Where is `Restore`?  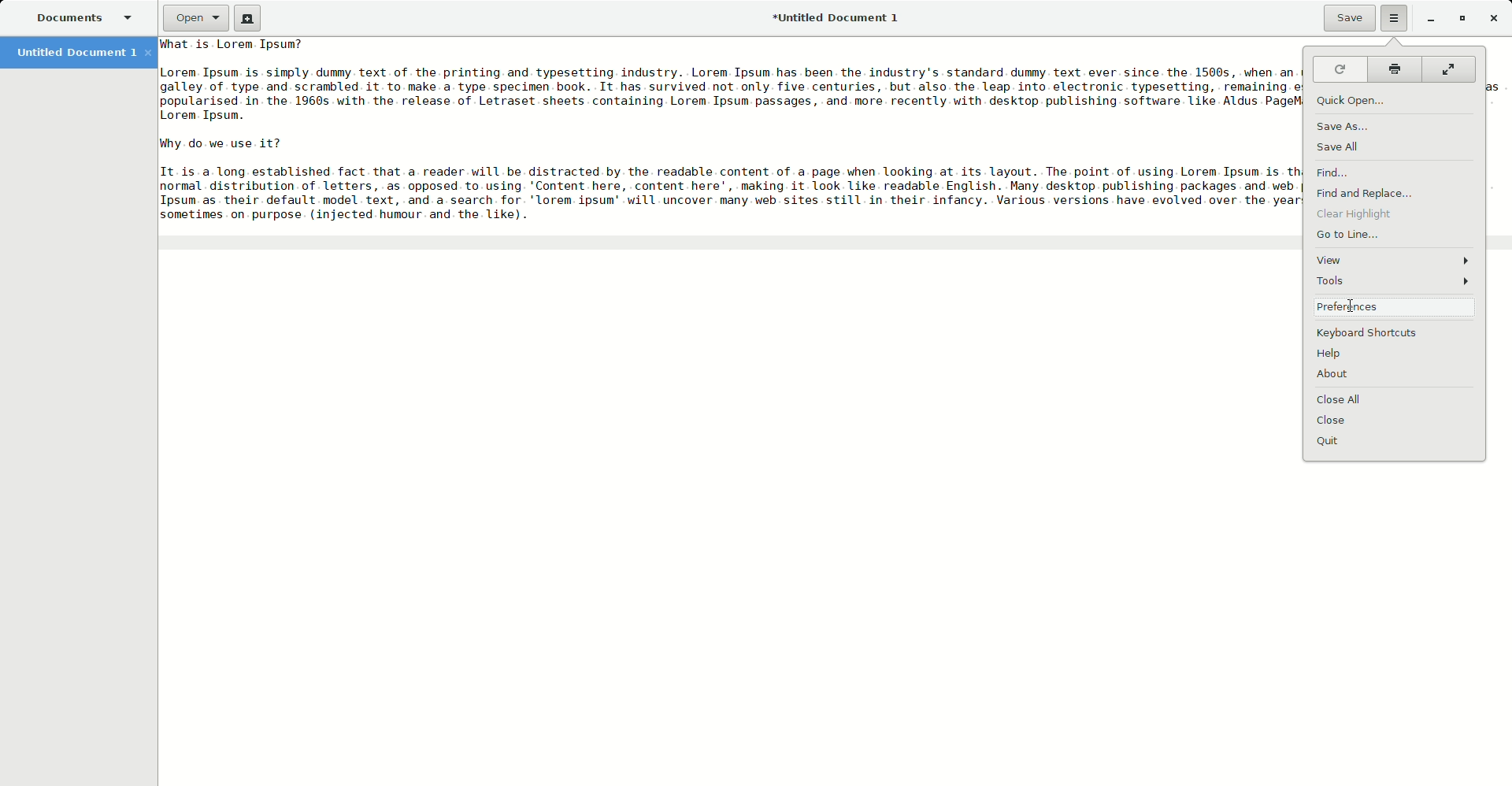
Restore is located at coordinates (1458, 19).